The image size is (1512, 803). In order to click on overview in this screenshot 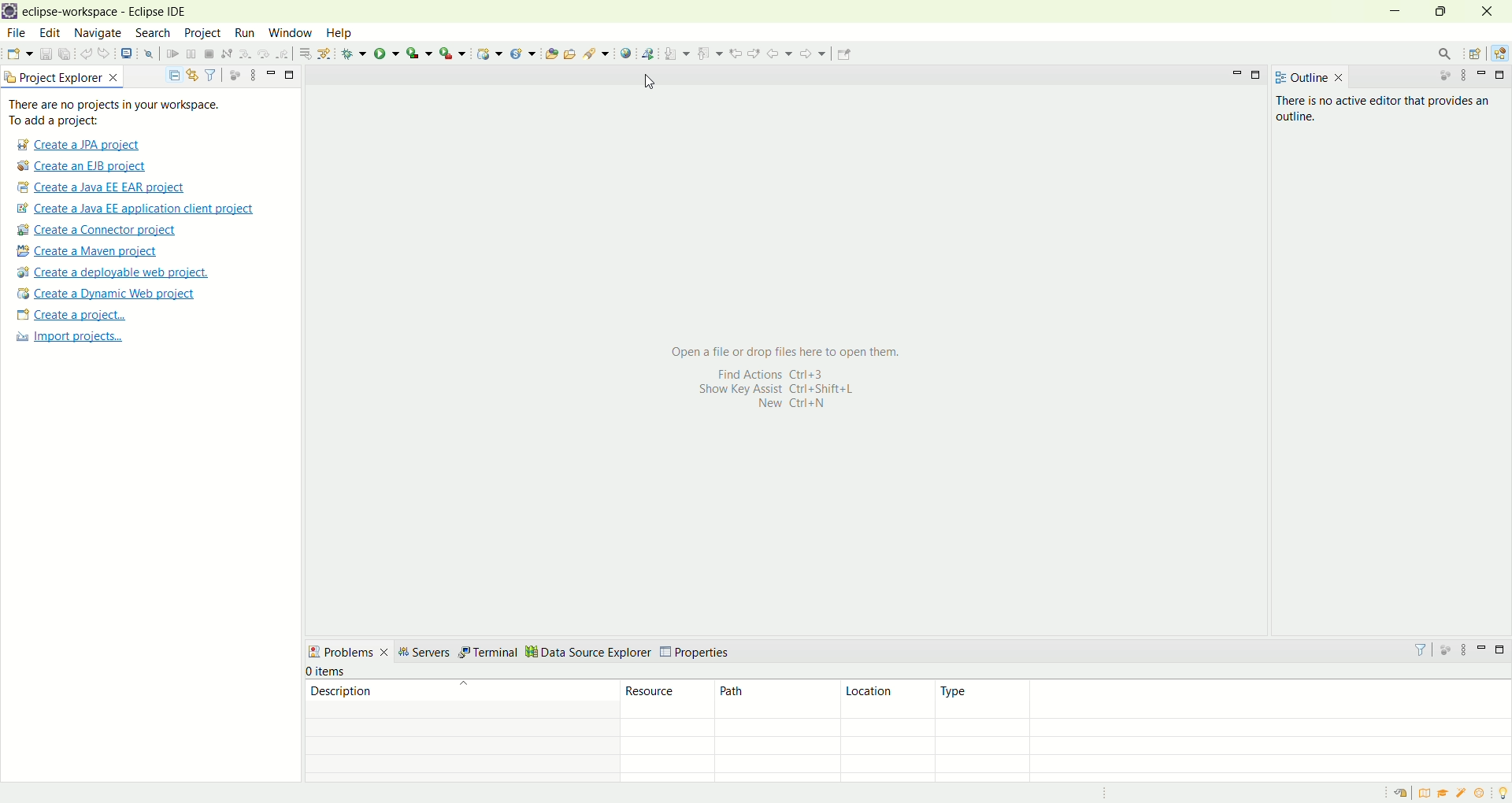, I will do `click(1428, 793)`.